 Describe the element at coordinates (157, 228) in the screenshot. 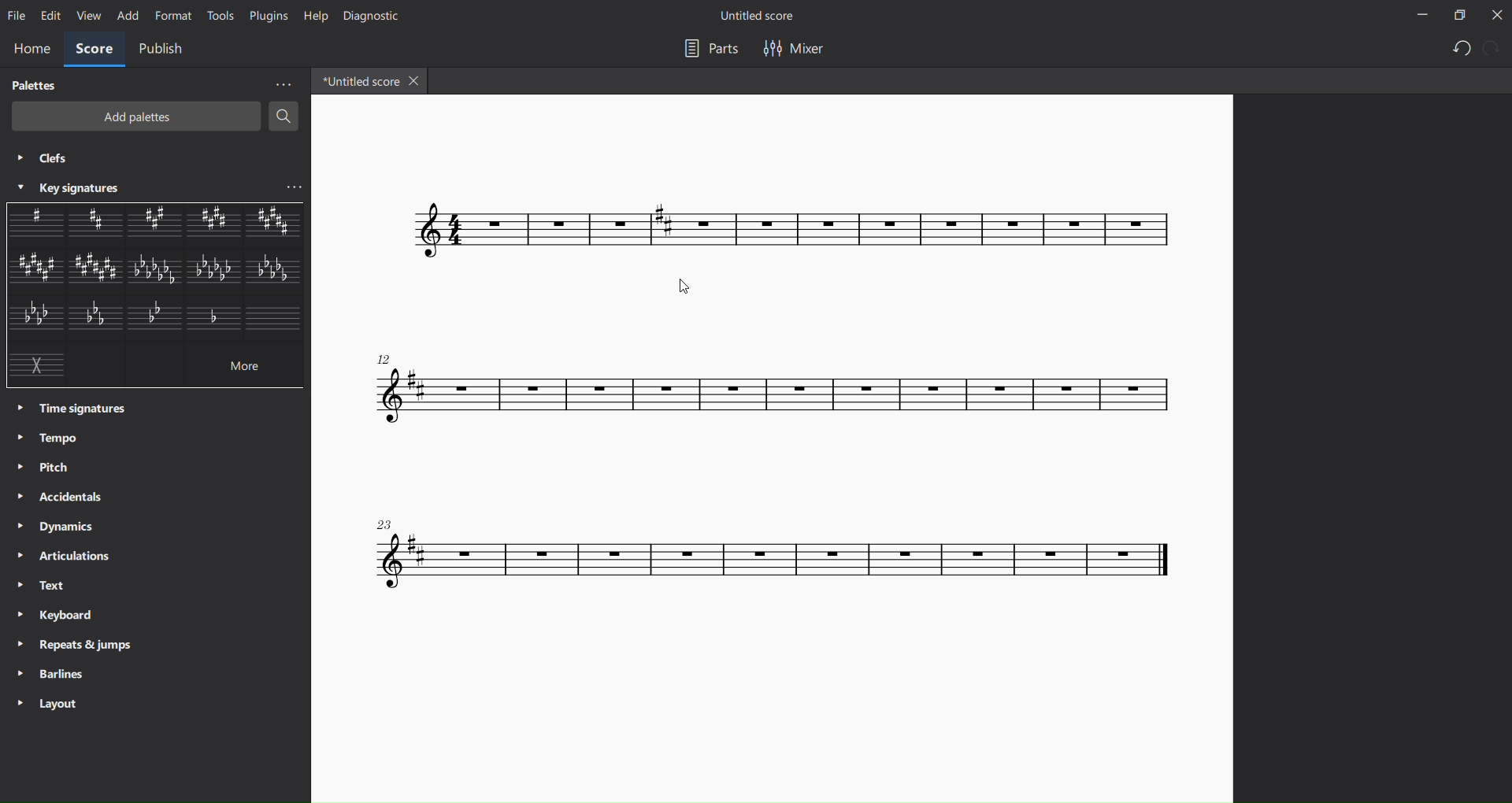

I see `other key signatures` at that location.